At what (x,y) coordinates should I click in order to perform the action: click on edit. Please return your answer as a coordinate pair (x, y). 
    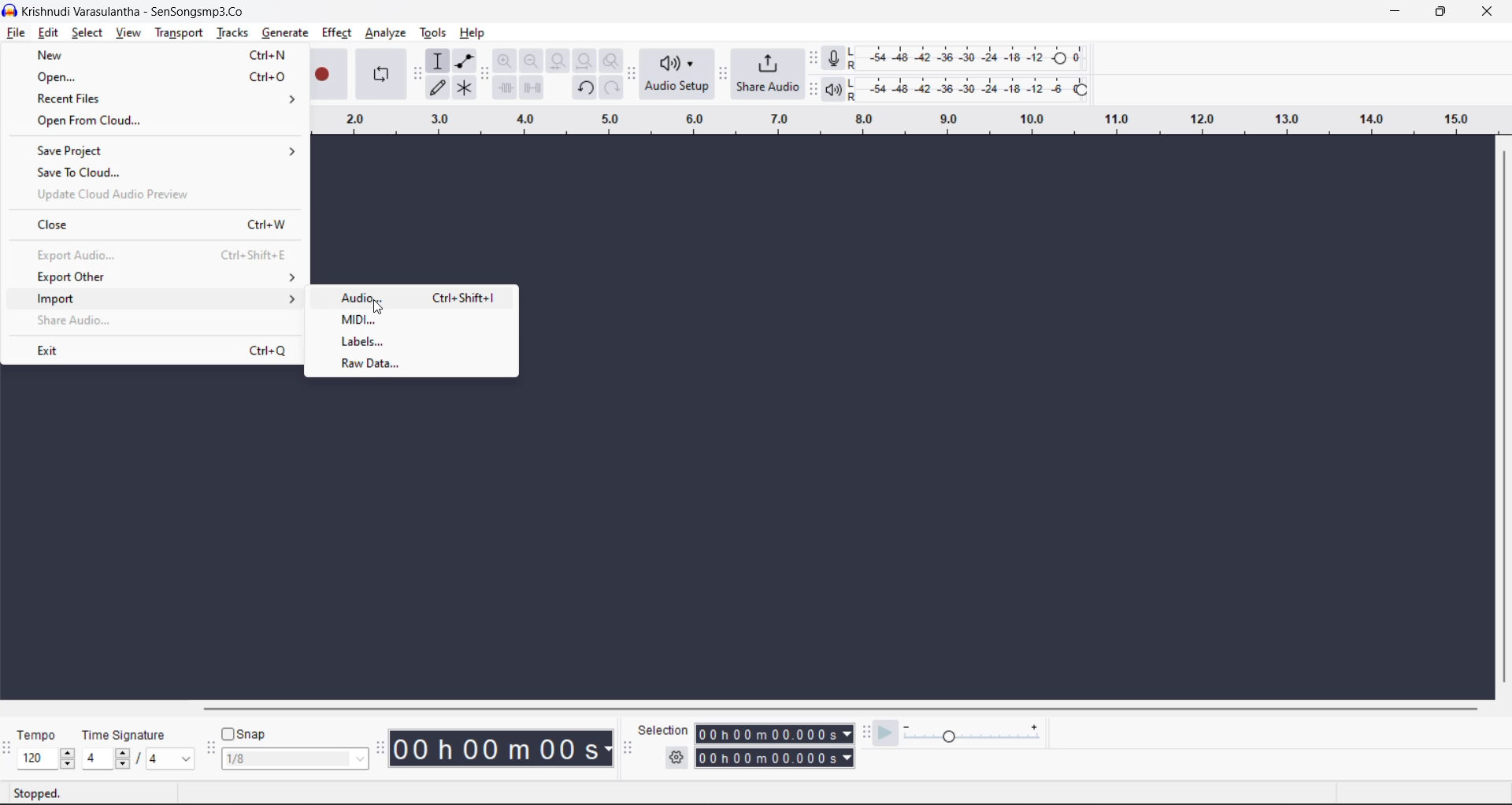
    Looking at the image, I should click on (49, 33).